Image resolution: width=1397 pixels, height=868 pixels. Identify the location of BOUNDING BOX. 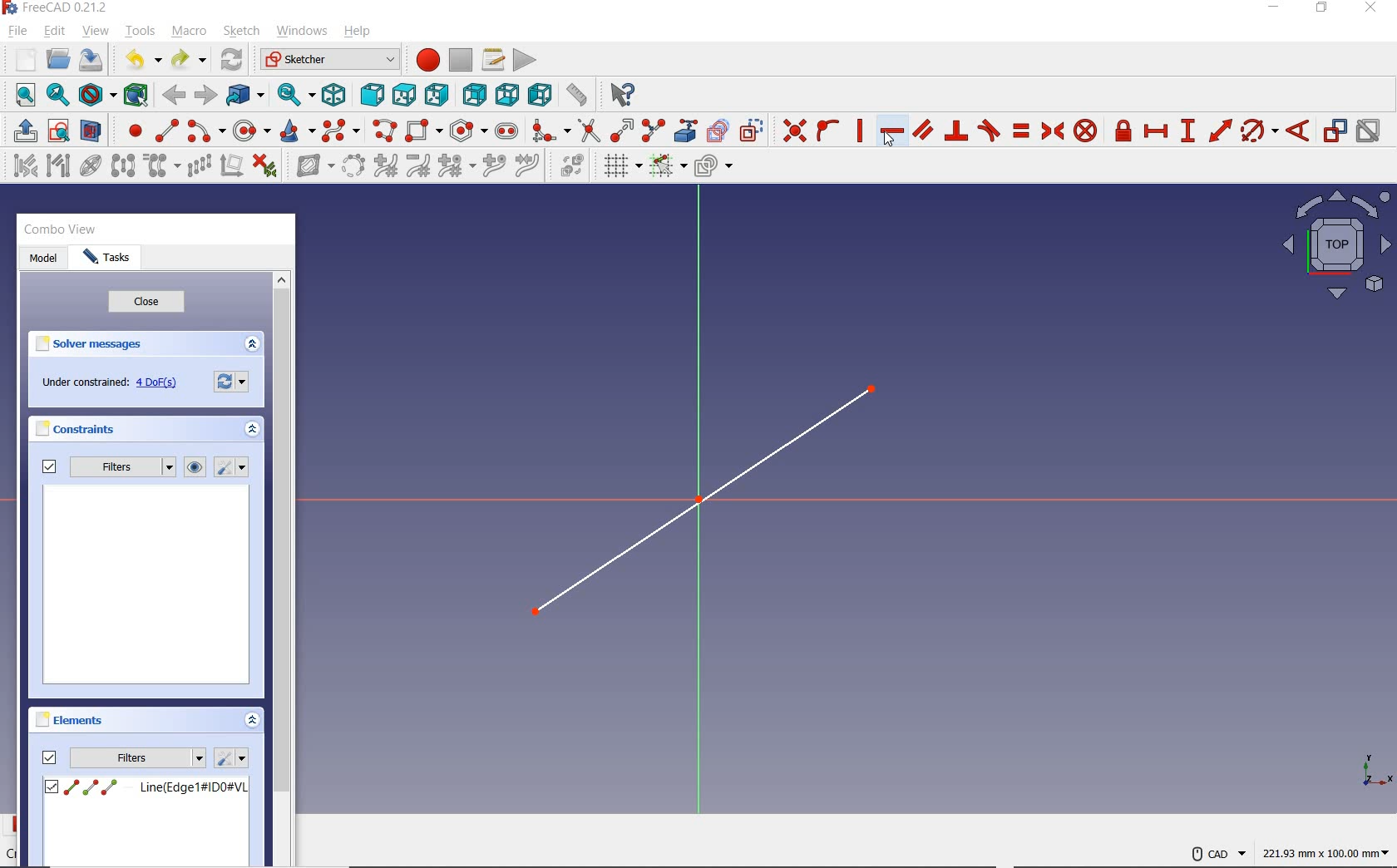
(139, 96).